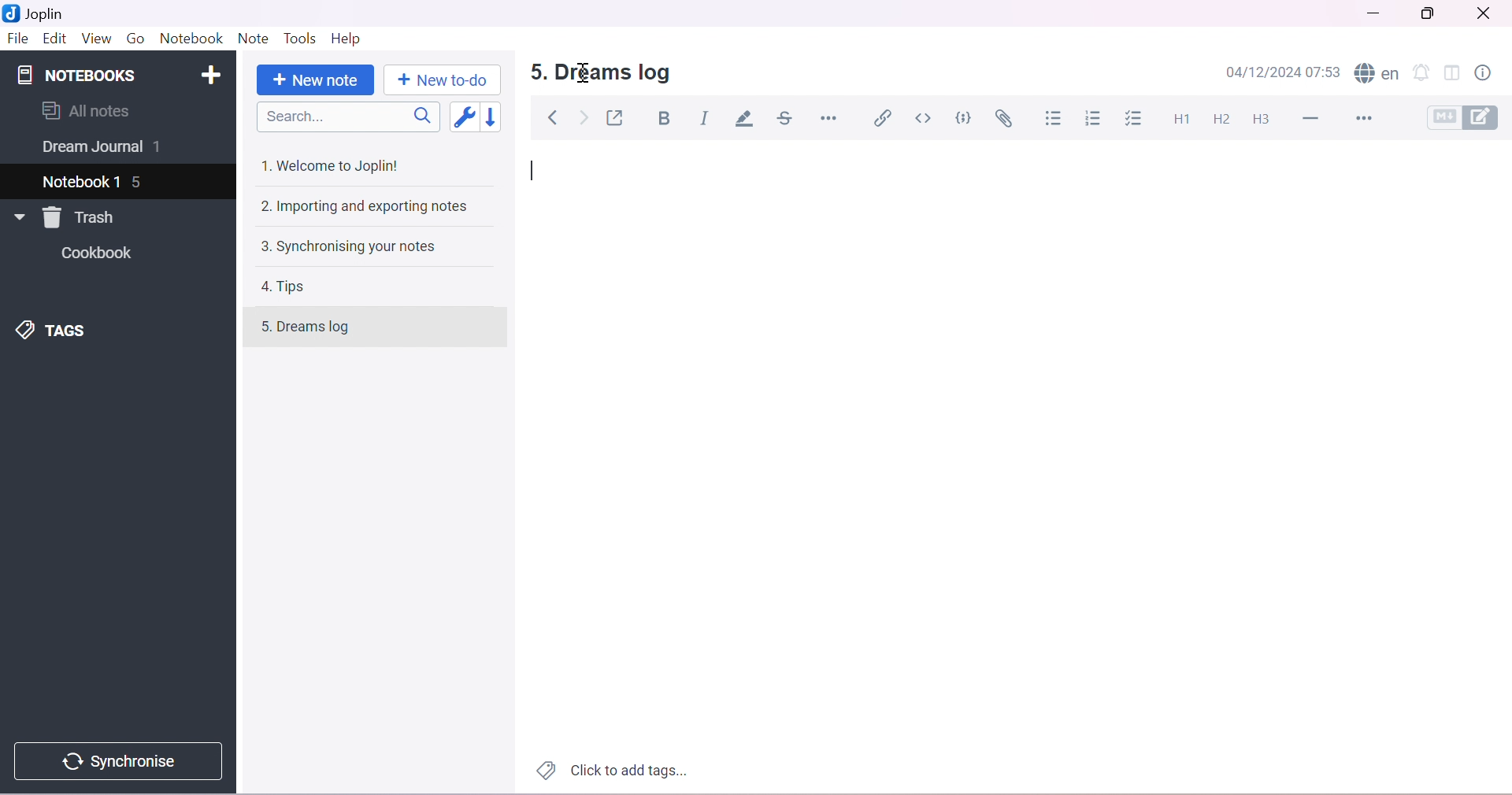 The height and width of the screenshot is (795, 1512). What do you see at coordinates (534, 72) in the screenshot?
I see `5.` at bounding box center [534, 72].